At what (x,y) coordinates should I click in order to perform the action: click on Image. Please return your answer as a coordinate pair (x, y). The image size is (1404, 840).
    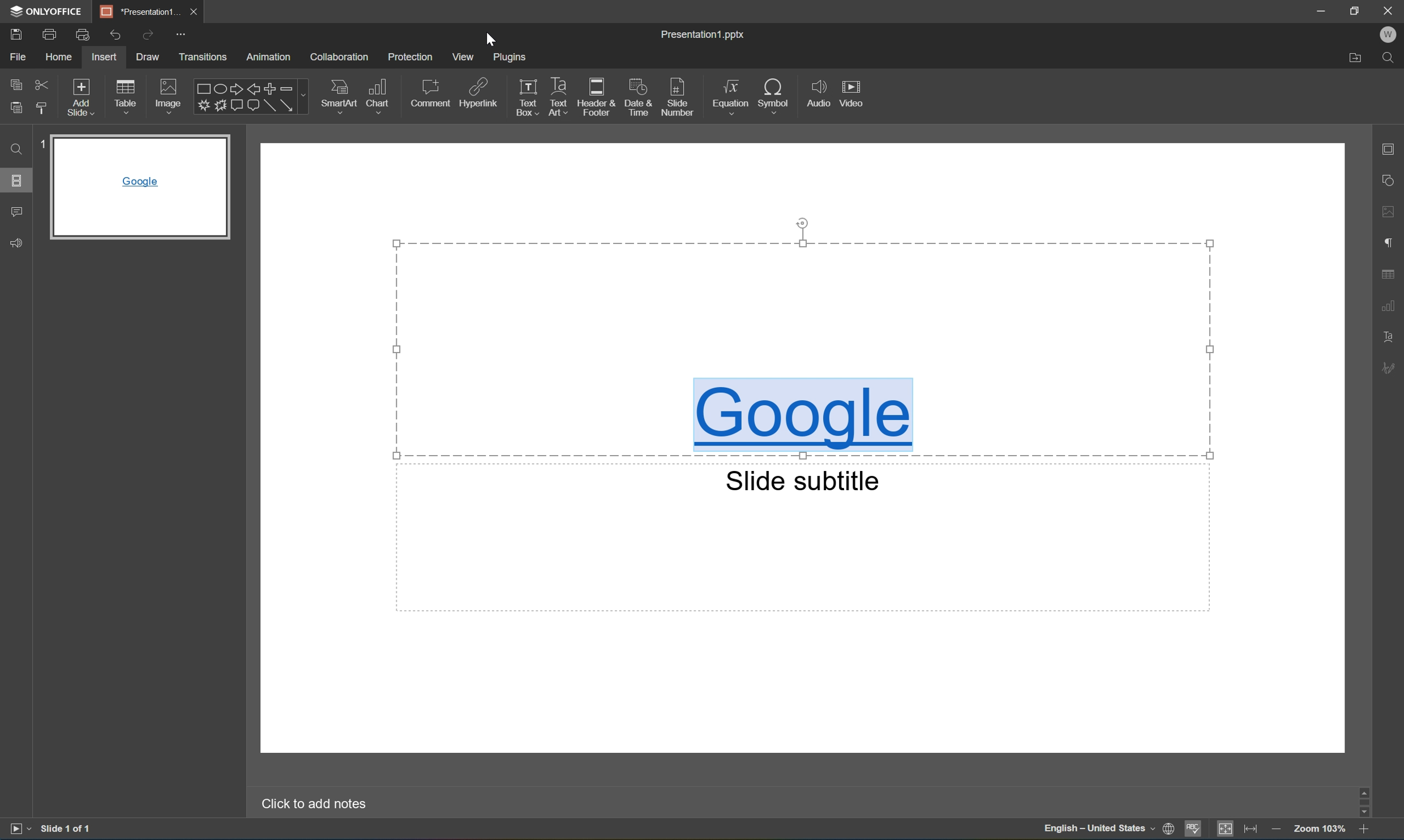
    Looking at the image, I should click on (170, 96).